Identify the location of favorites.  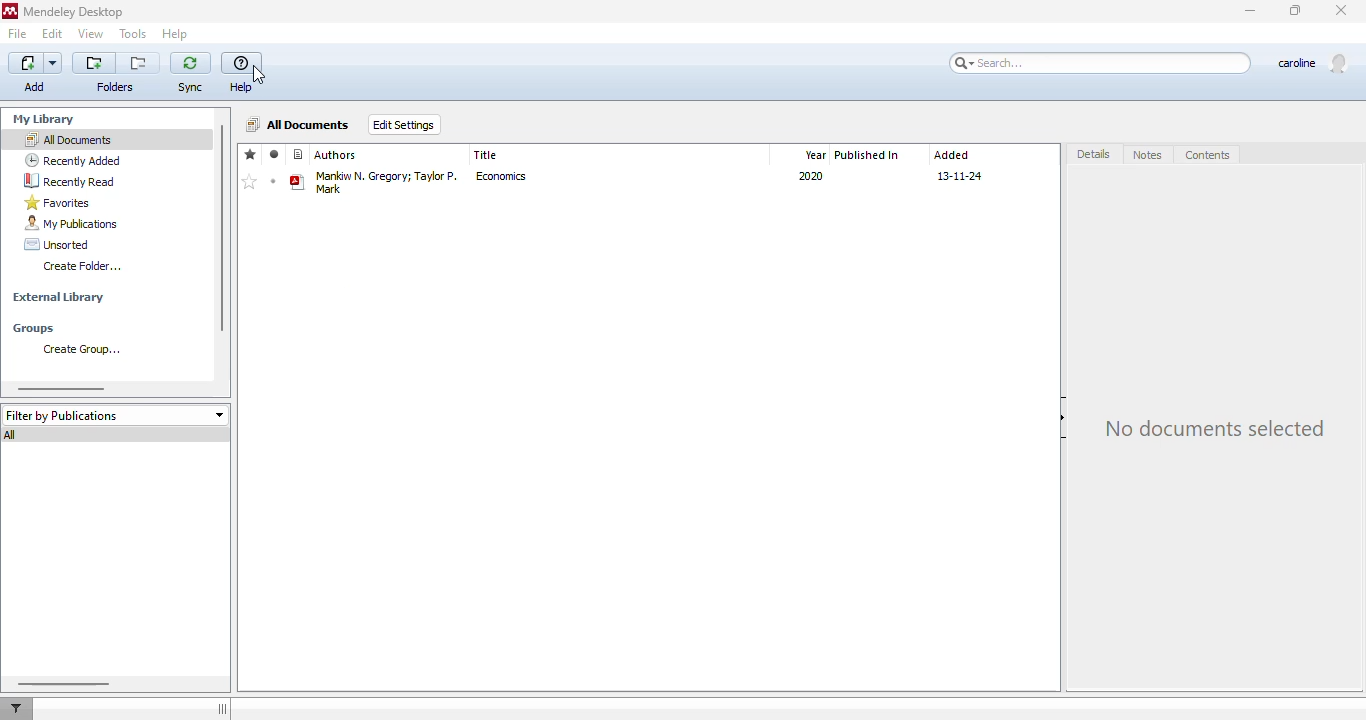
(57, 202).